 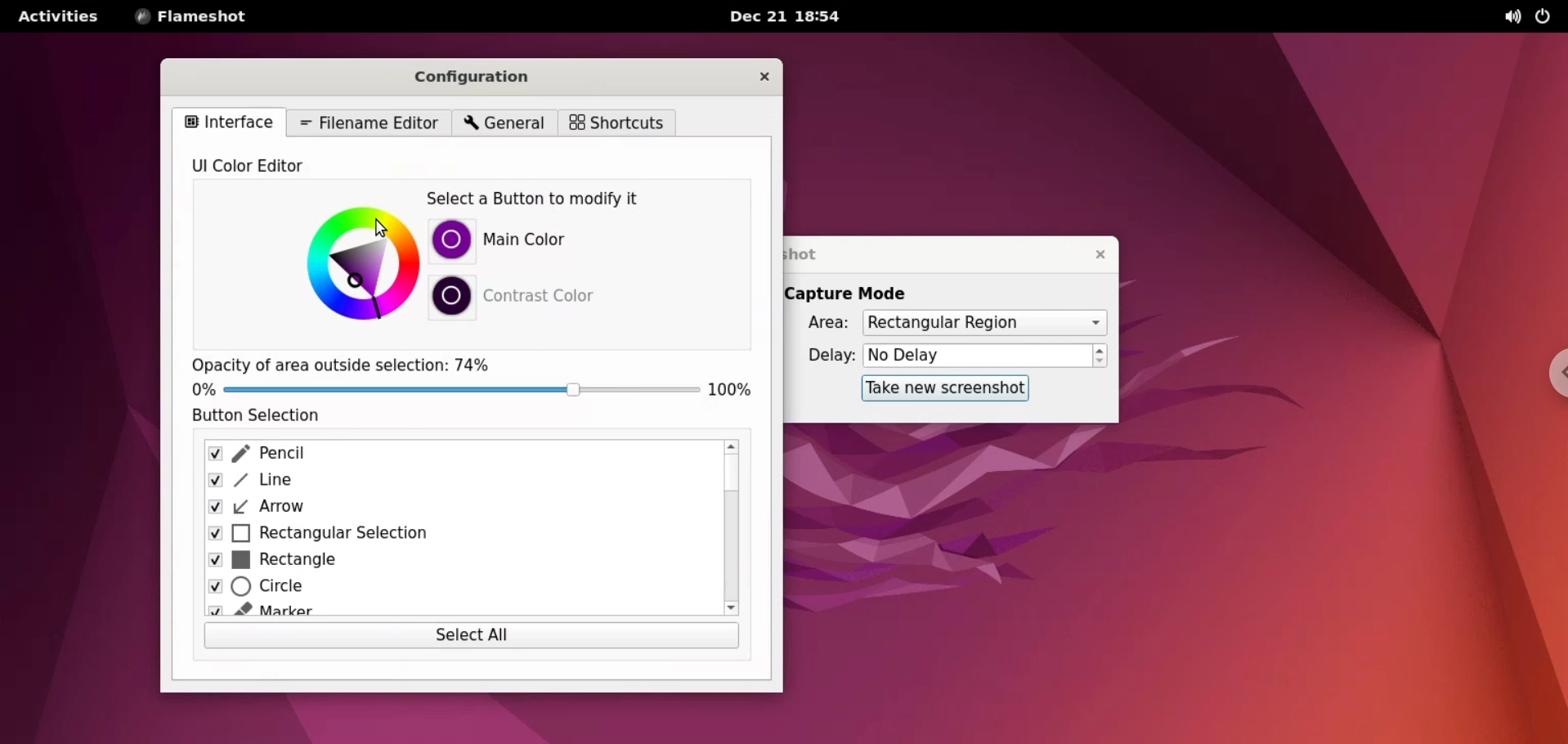 What do you see at coordinates (458, 392) in the screenshot?
I see `opacity slider` at bounding box center [458, 392].